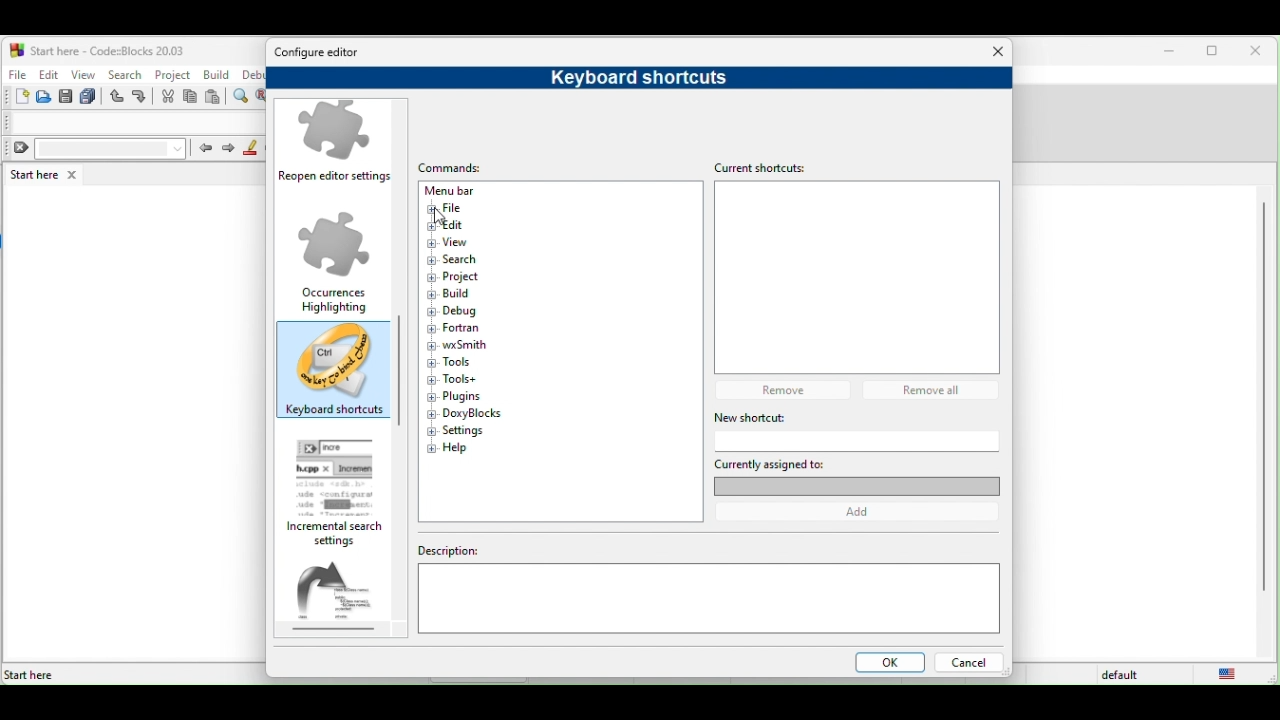  I want to click on current shortcuts, so click(768, 167).